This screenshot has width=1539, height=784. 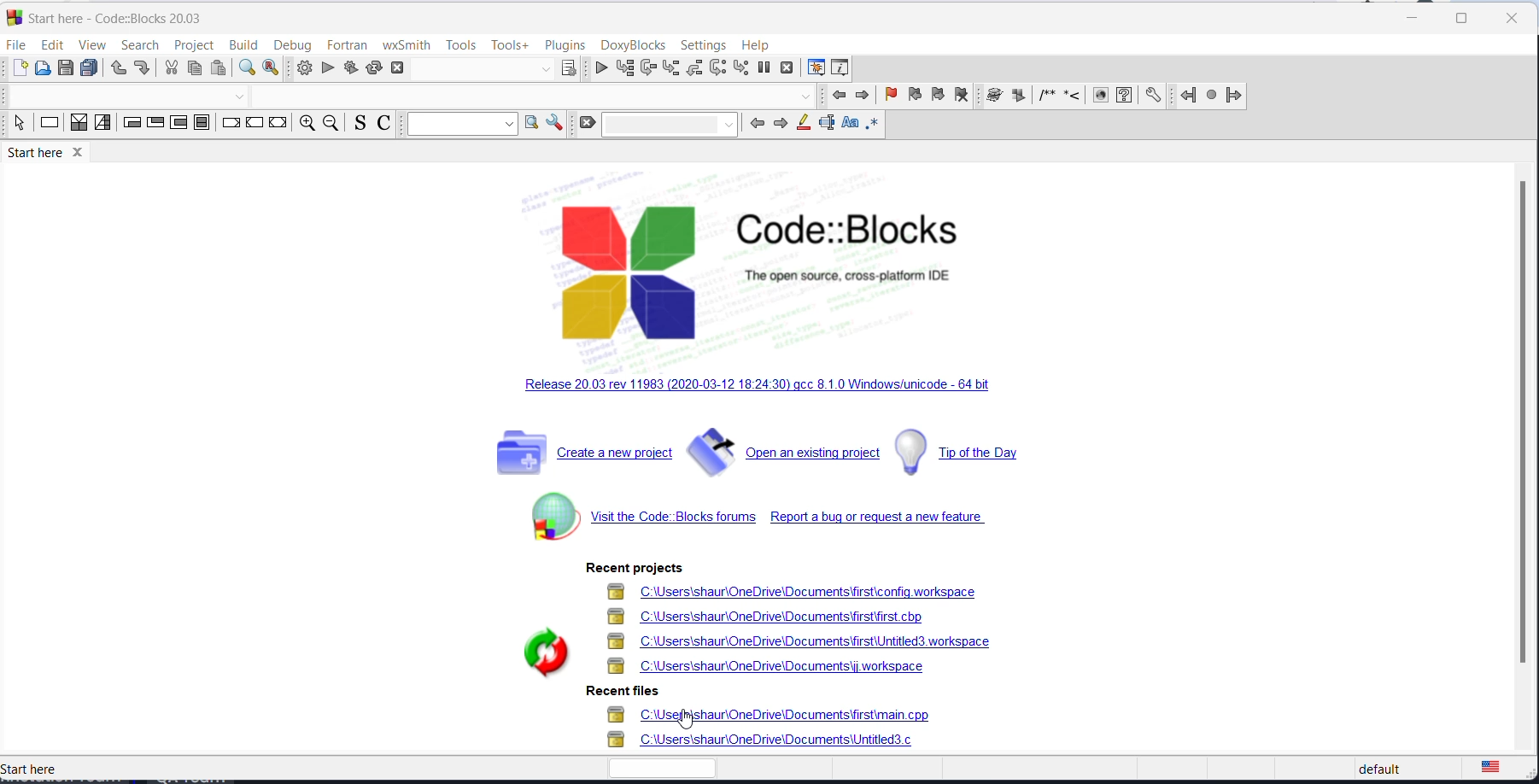 What do you see at coordinates (170, 69) in the screenshot?
I see `CUT` at bounding box center [170, 69].